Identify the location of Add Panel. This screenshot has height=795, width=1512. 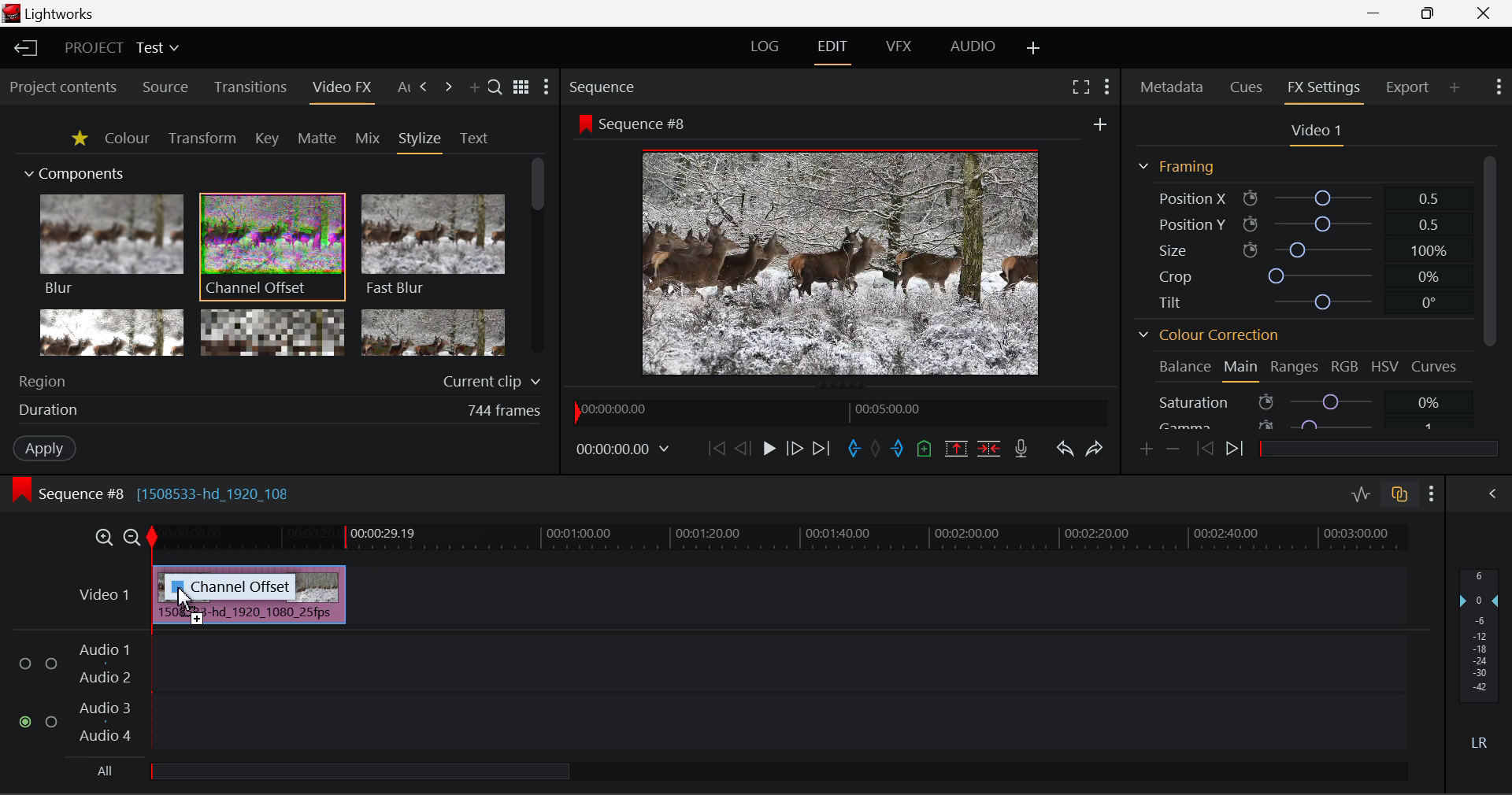
(474, 89).